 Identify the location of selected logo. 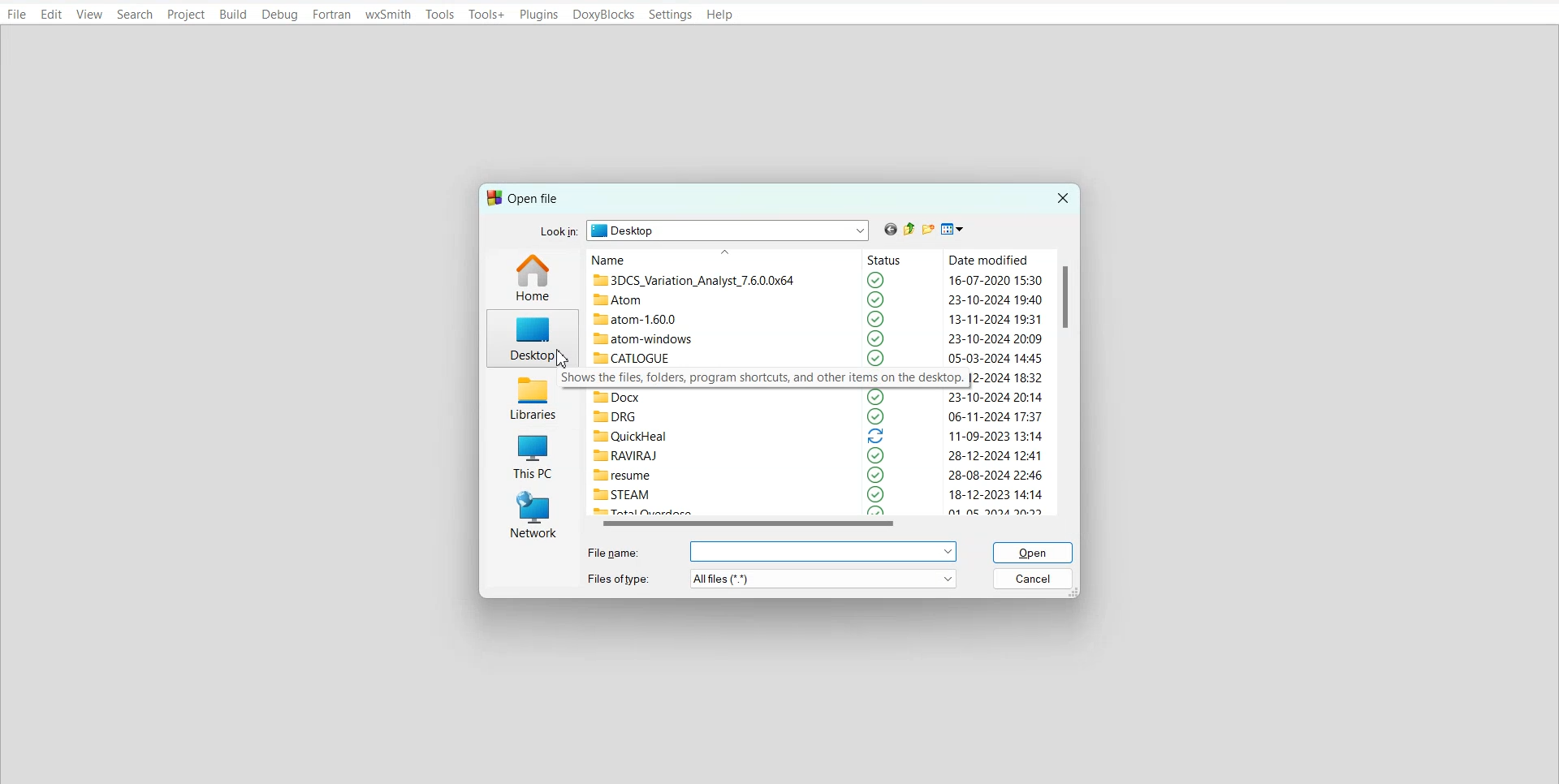
(874, 494).